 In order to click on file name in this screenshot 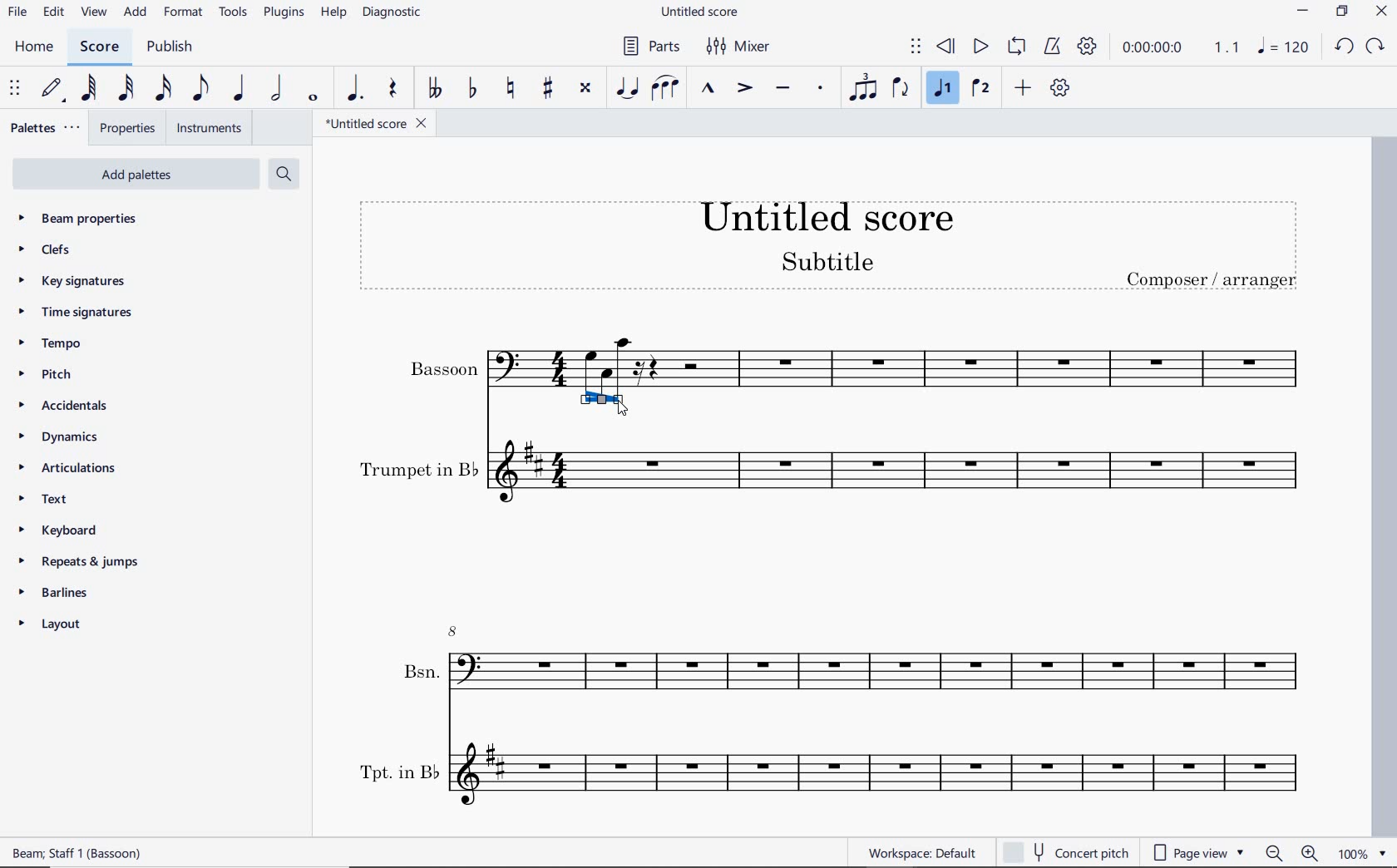, I will do `click(378, 123)`.